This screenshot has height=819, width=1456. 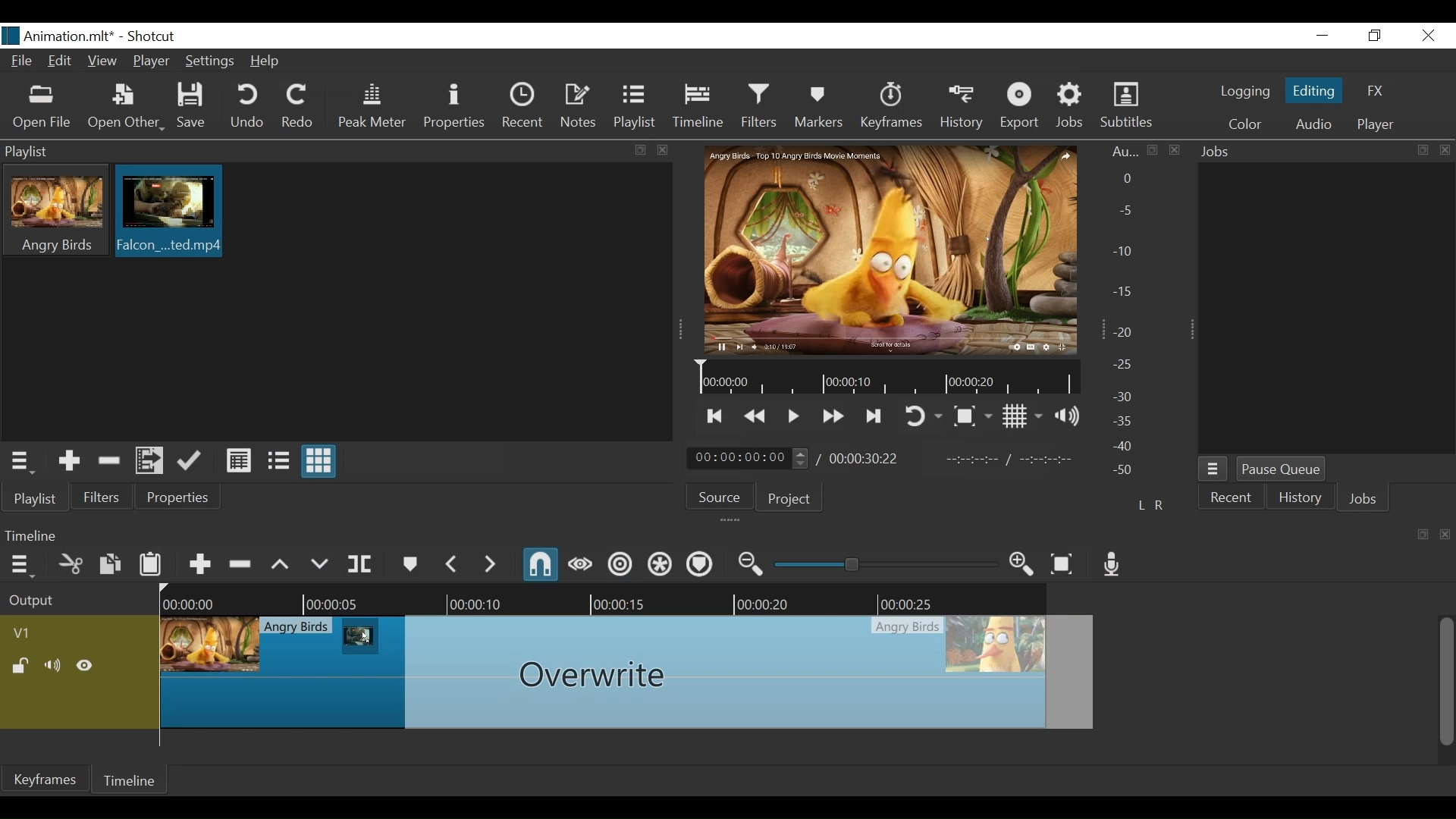 What do you see at coordinates (1313, 91) in the screenshot?
I see `Editing` at bounding box center [1313, 91].